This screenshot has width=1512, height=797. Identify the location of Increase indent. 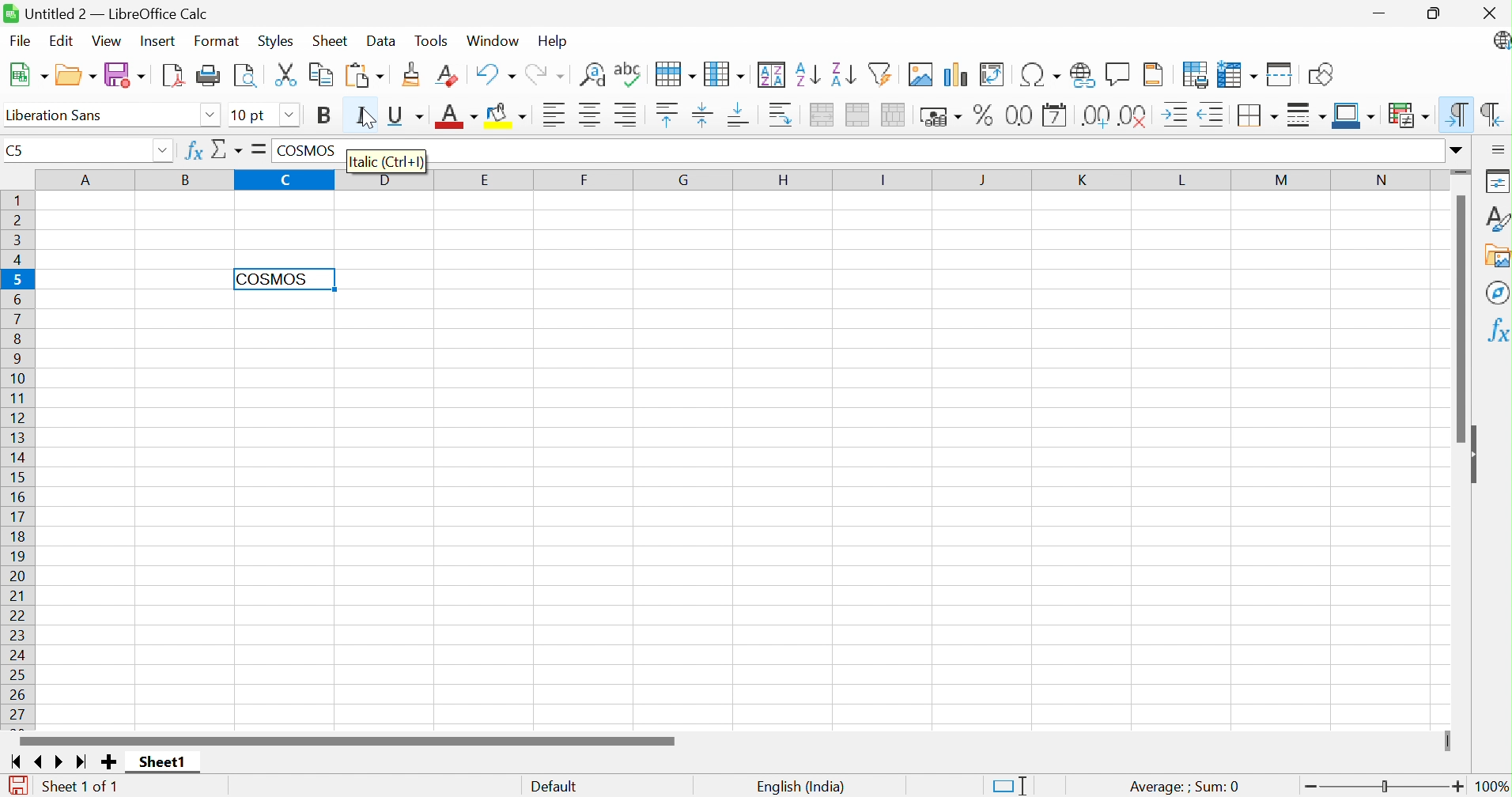
(1177, 115).